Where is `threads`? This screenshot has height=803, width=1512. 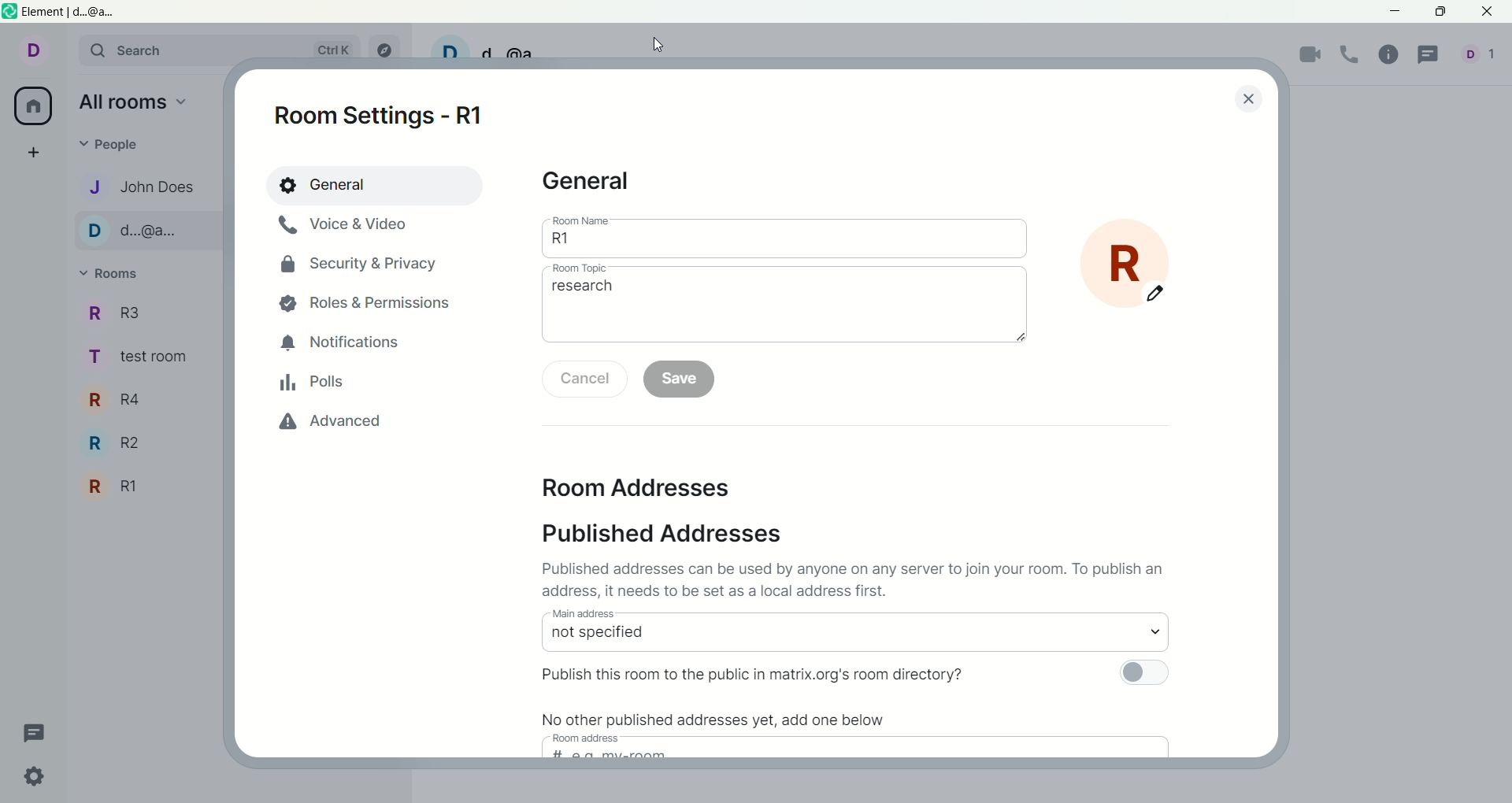 threads is located at coordinates (30, 732).